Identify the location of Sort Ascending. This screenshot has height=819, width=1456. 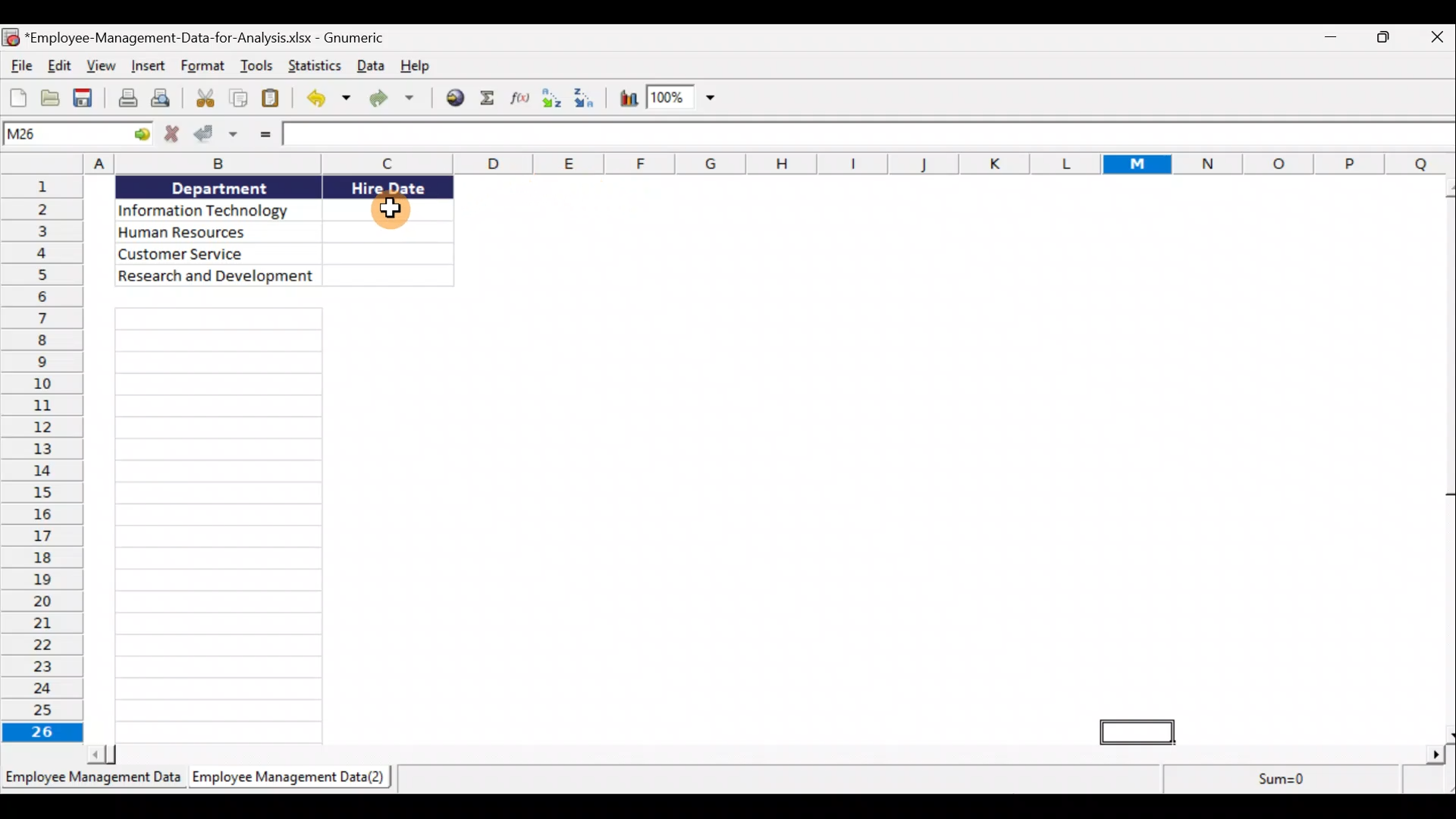
(554, 99).